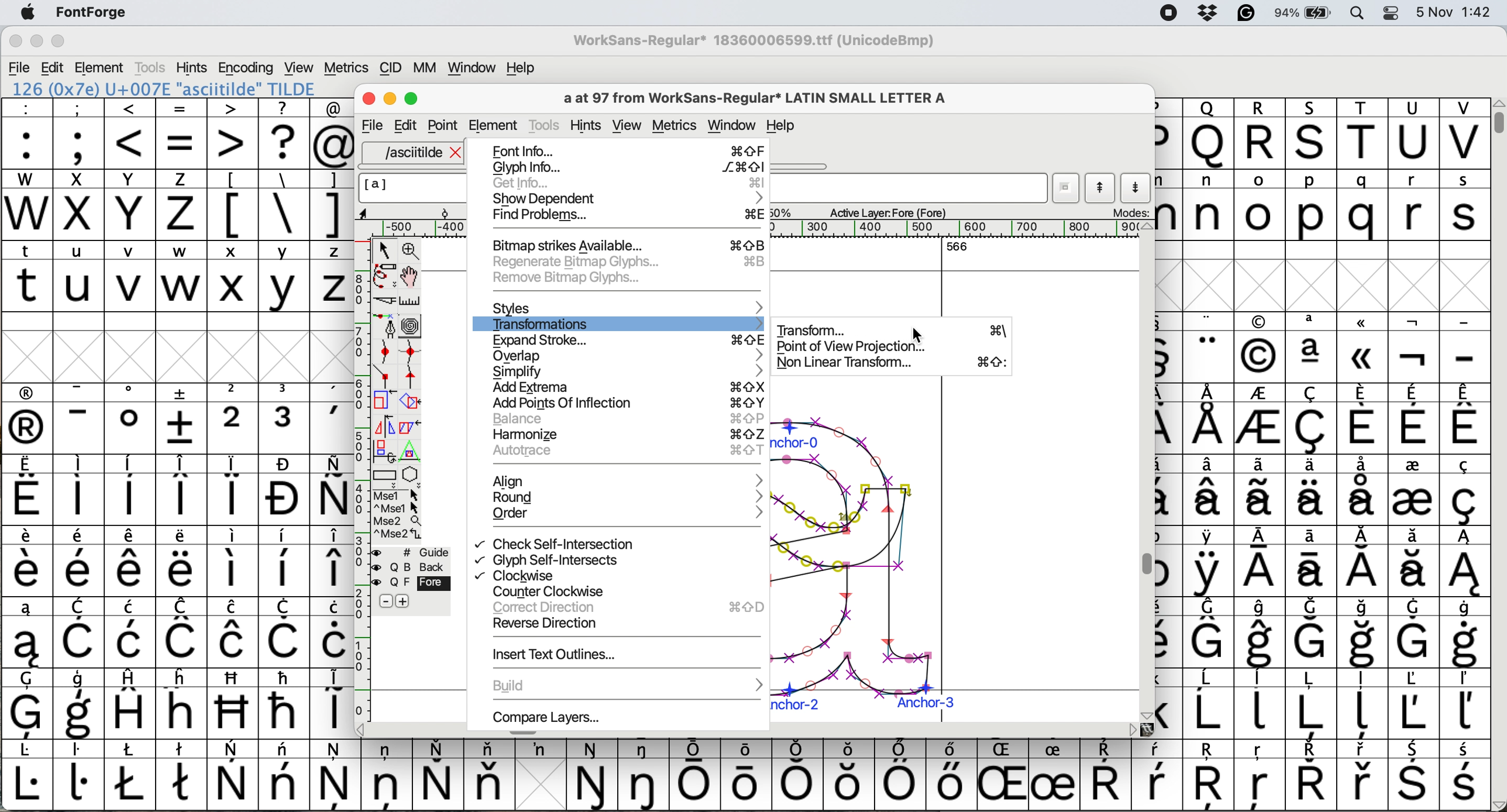 Image resolution: width=1507 pixels, height=812 pixels. What do you see at coordinates (522, 67) in the screenshot?
I see `help` at bounding box center [522, 67].